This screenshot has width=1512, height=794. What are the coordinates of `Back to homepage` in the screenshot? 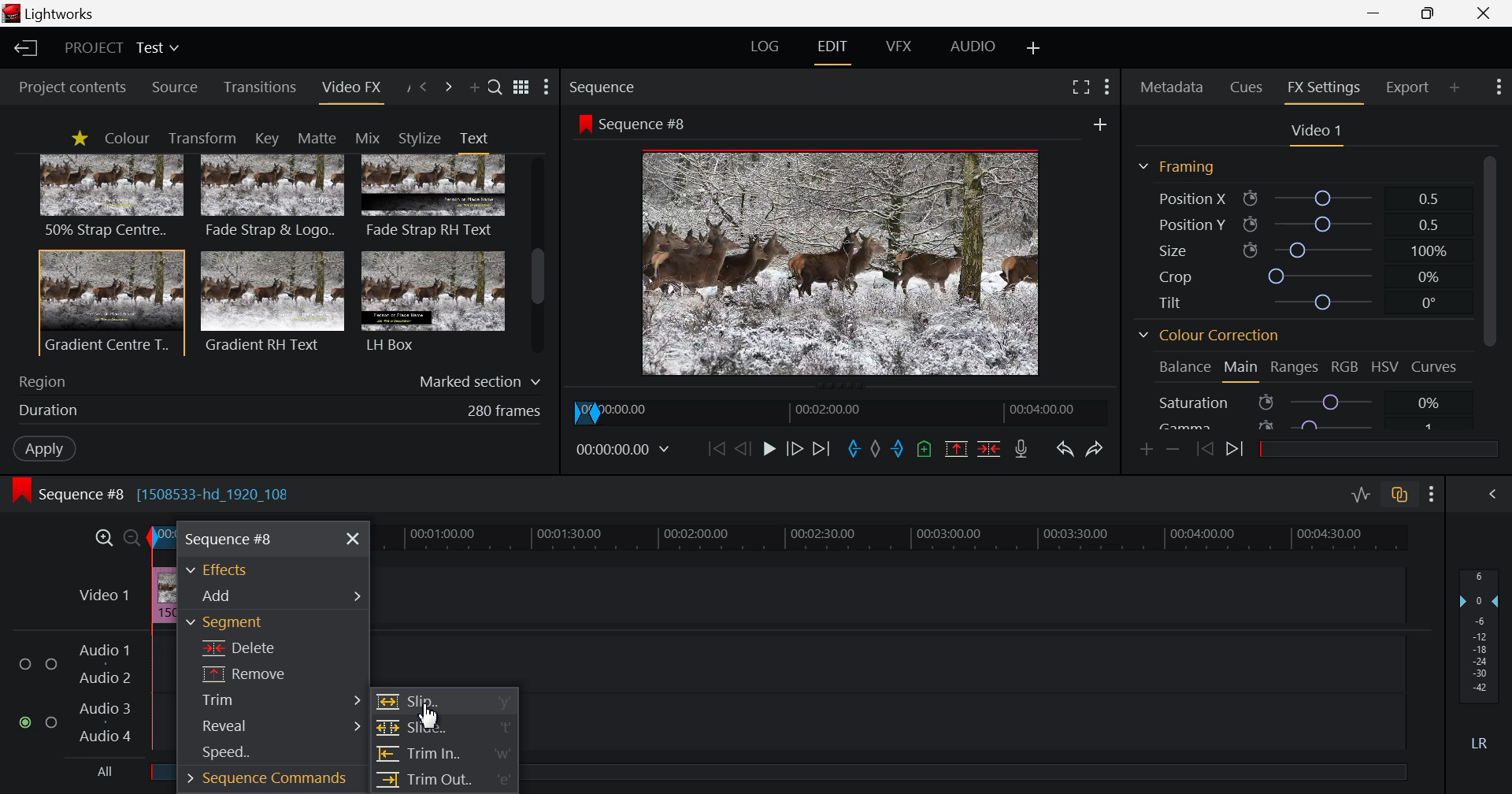 It's located at (23, 48).